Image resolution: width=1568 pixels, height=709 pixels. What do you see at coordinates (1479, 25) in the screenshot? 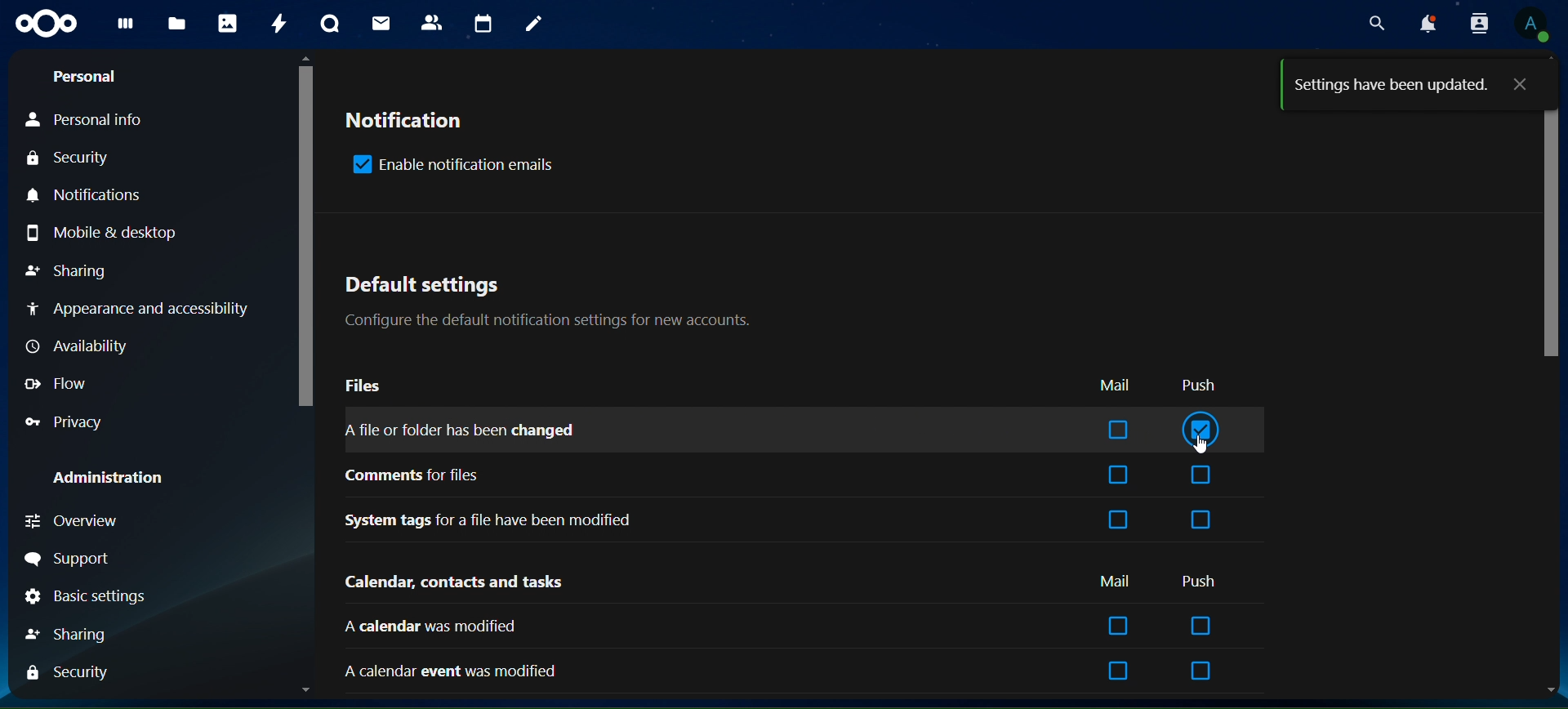
I see `search contacts` at bounding box center [1479, 25].